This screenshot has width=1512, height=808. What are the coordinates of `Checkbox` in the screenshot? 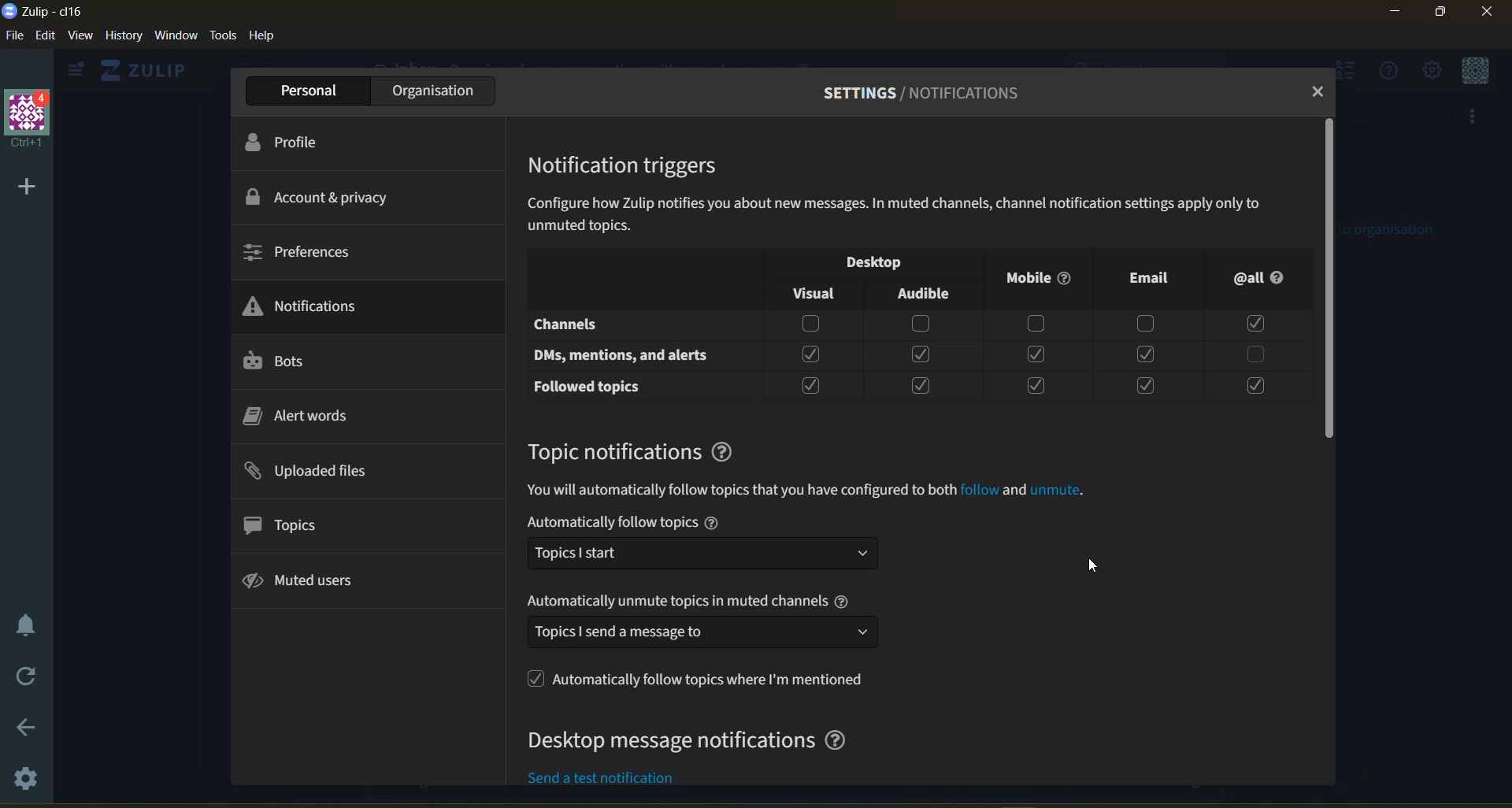 It's located at (813, 356).